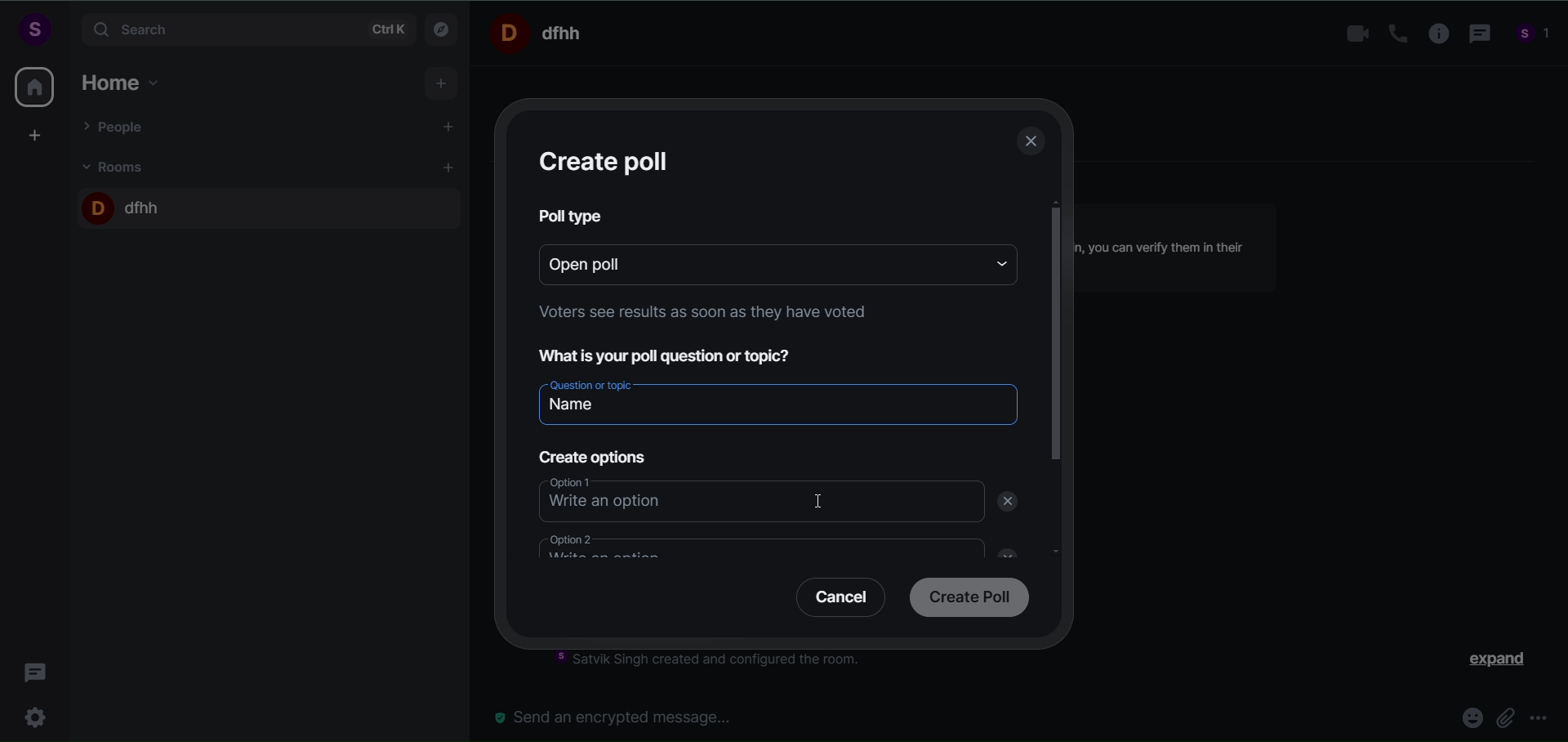 This screenshot has height=742, width=1568. I want to click on poll type dropdown, so click(996, 262).